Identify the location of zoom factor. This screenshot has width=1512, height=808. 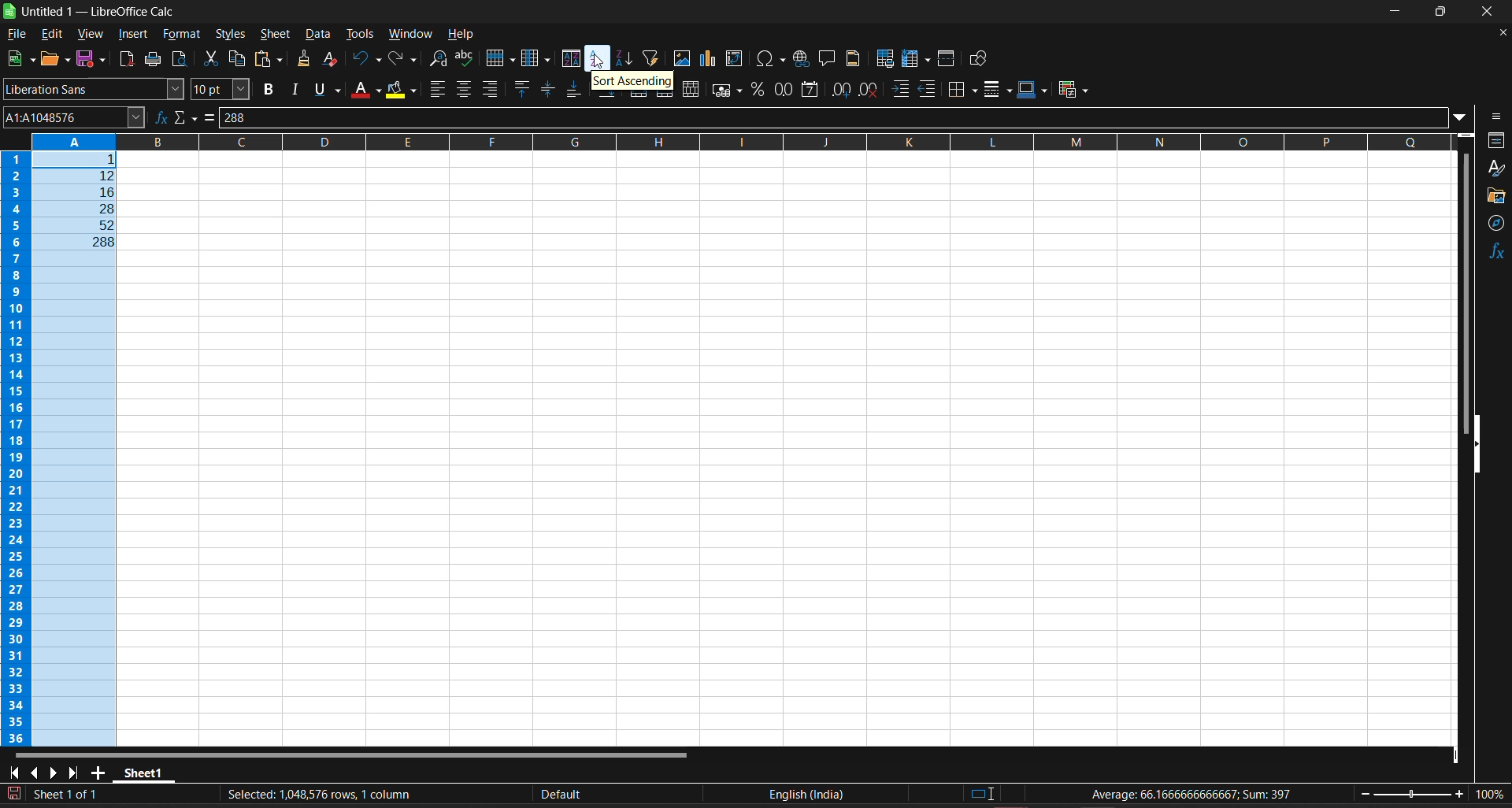
(1493, 797).